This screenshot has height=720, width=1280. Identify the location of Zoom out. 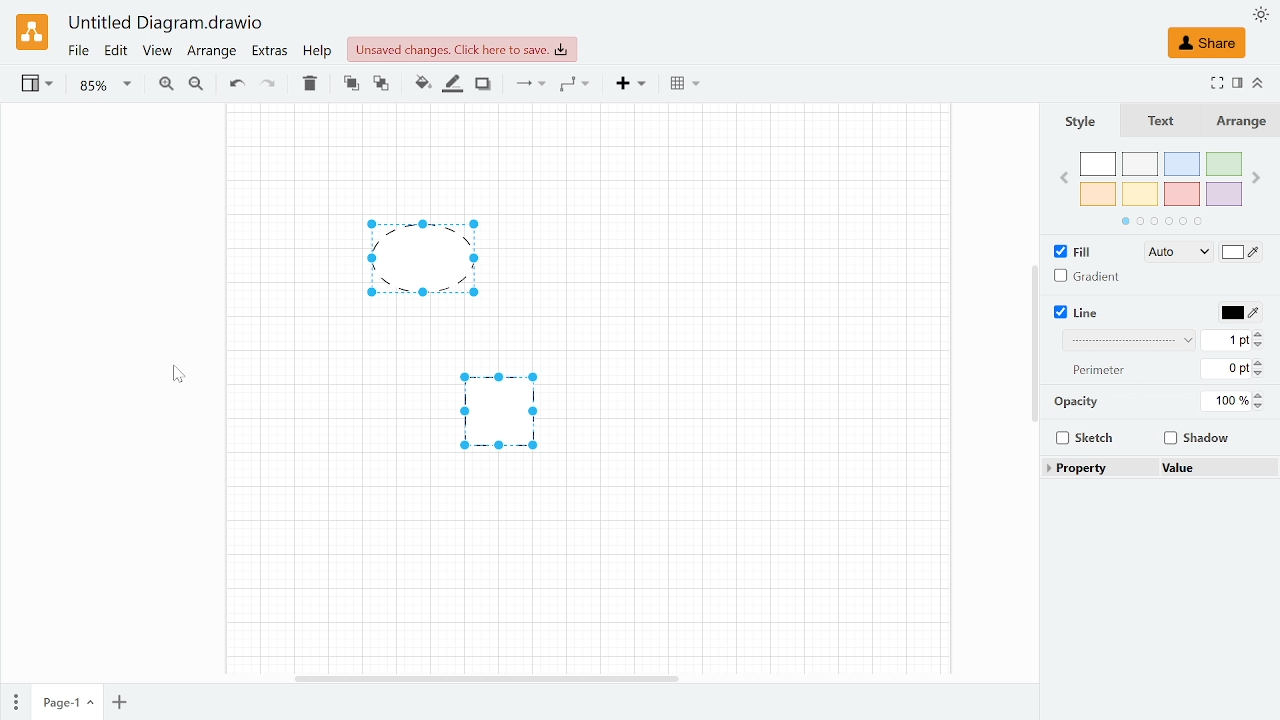
(196, 85).